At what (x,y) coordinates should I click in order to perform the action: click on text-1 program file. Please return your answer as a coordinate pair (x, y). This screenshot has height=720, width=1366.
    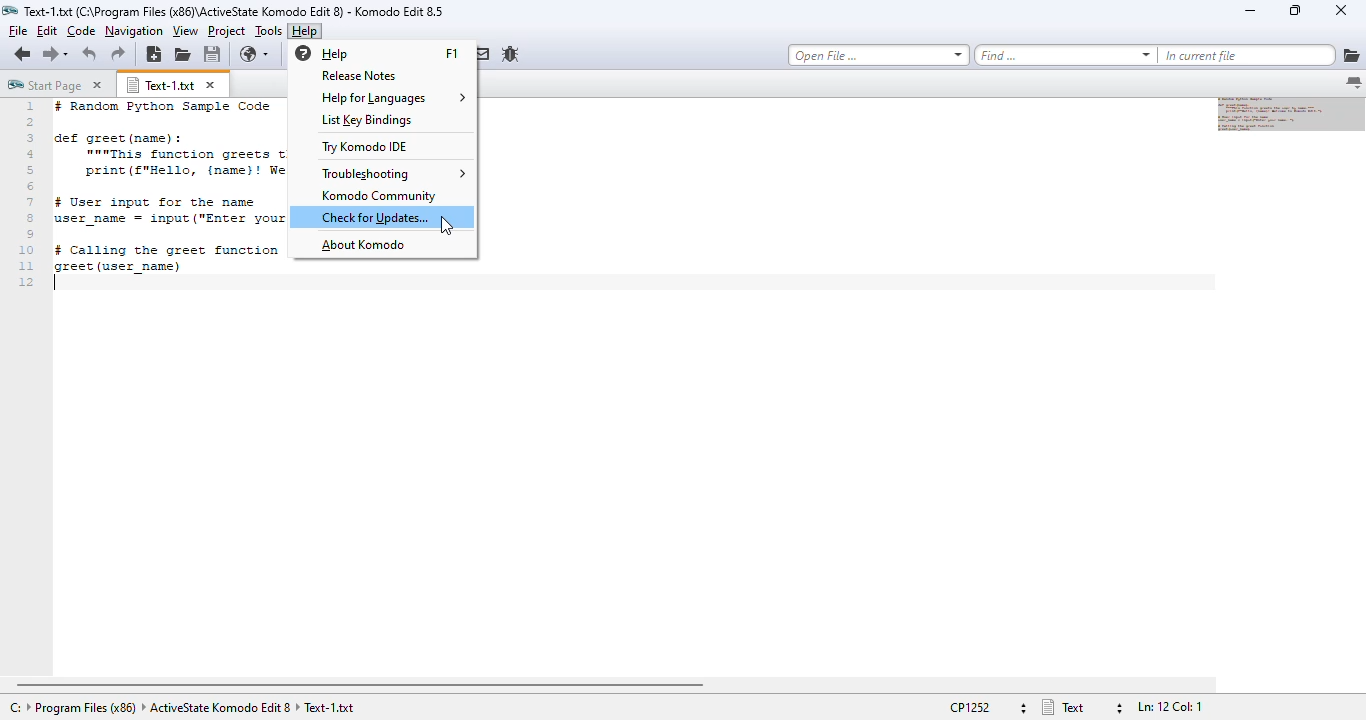
    Looking at the image, I should click on (234, 11).